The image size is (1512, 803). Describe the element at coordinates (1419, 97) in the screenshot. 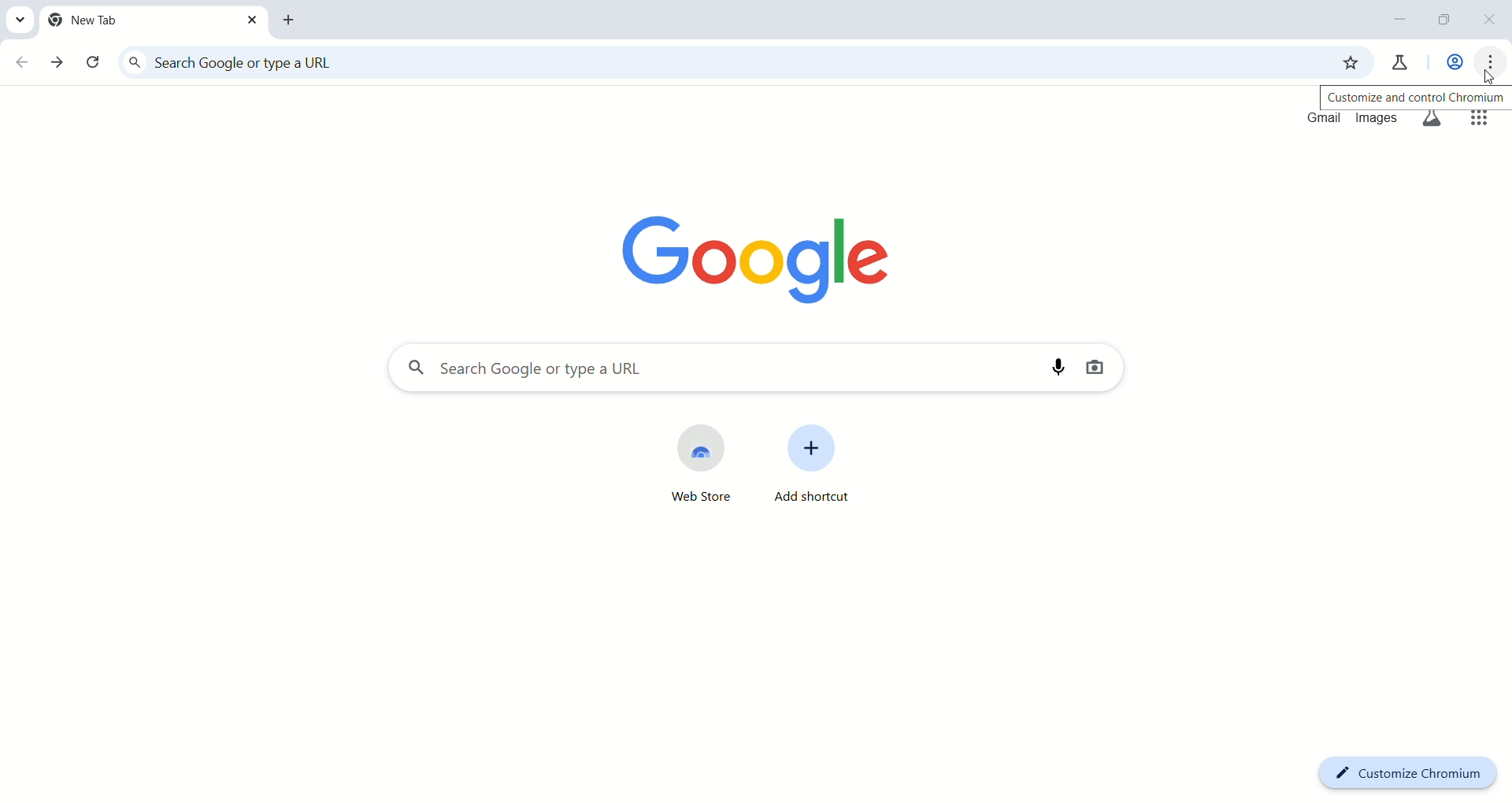

I see `customize and control chromium` at that location.